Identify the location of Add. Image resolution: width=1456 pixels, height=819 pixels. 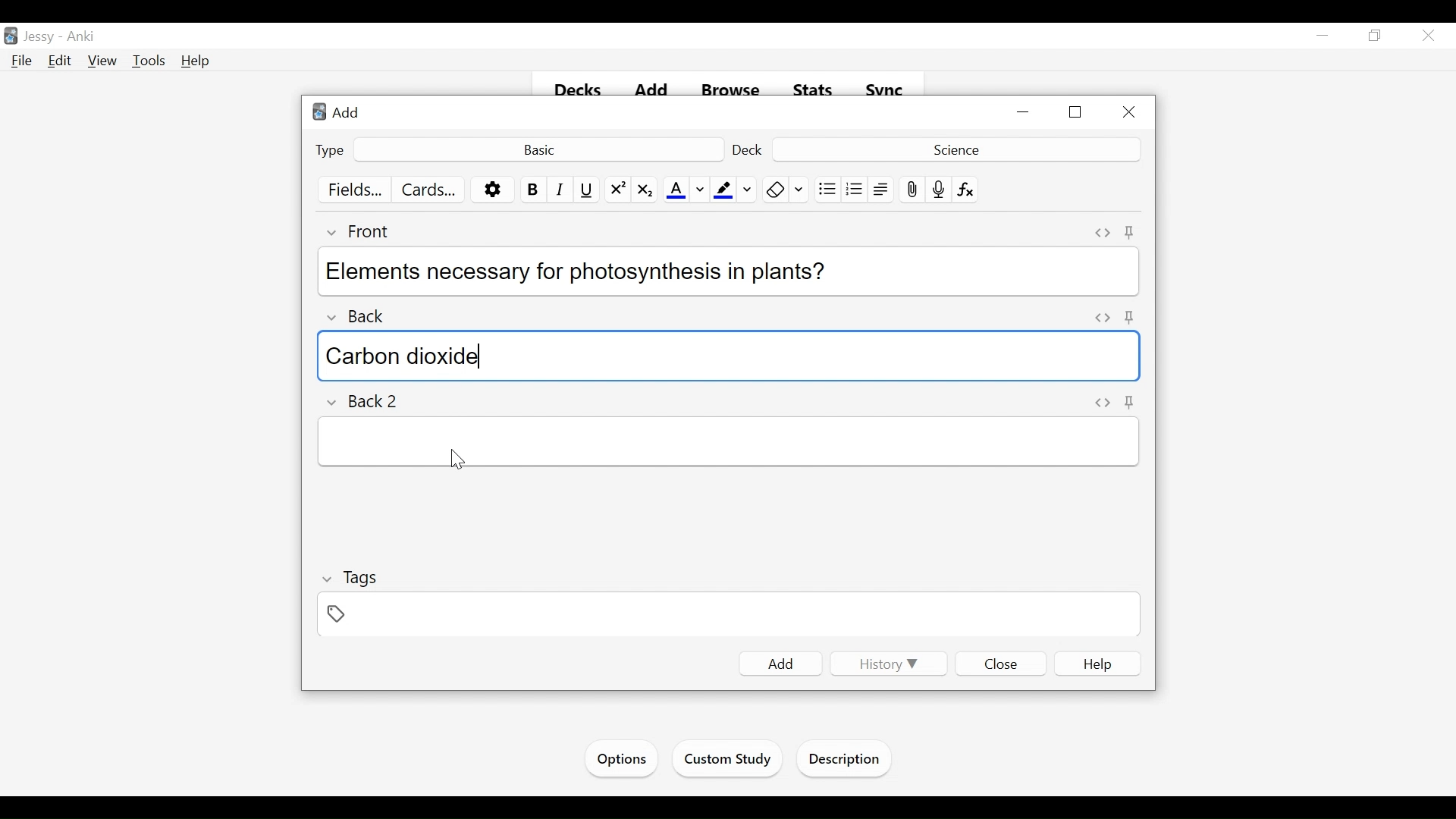
(781, 664).